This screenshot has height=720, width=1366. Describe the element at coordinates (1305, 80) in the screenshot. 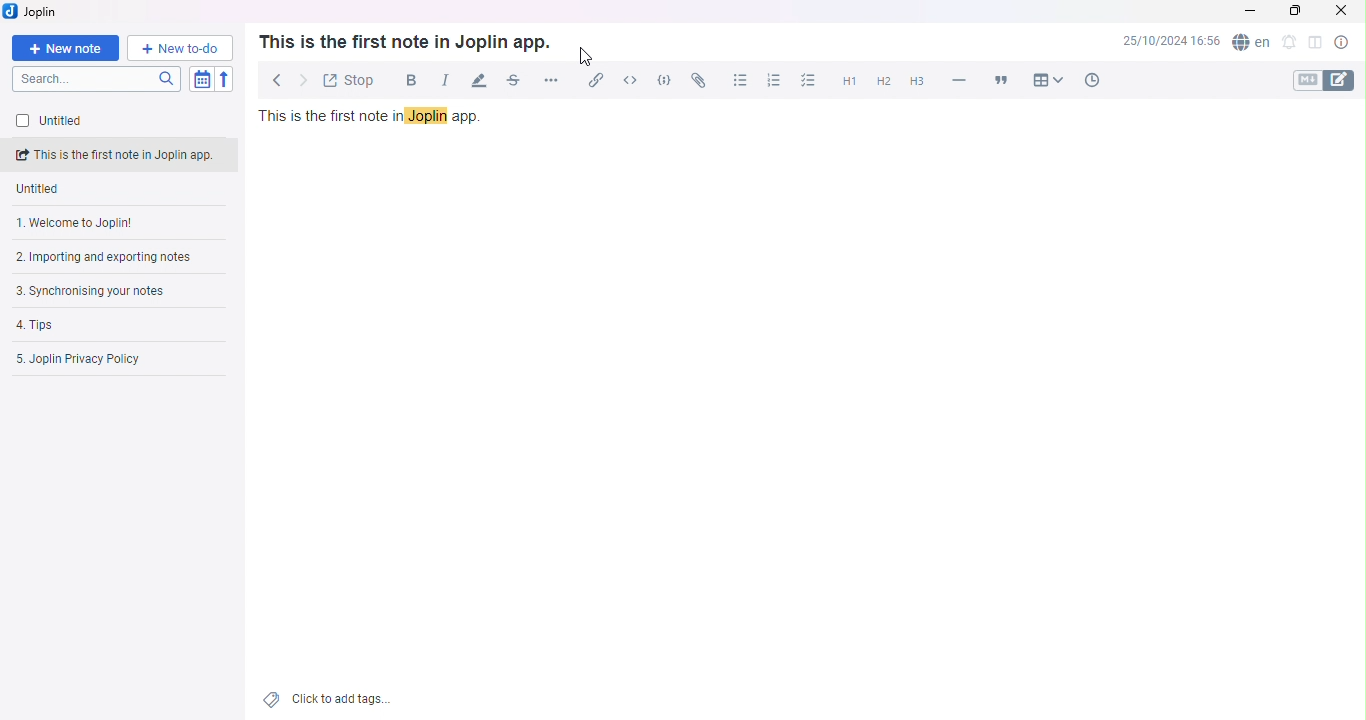

I see `Toggle editors` at that location.